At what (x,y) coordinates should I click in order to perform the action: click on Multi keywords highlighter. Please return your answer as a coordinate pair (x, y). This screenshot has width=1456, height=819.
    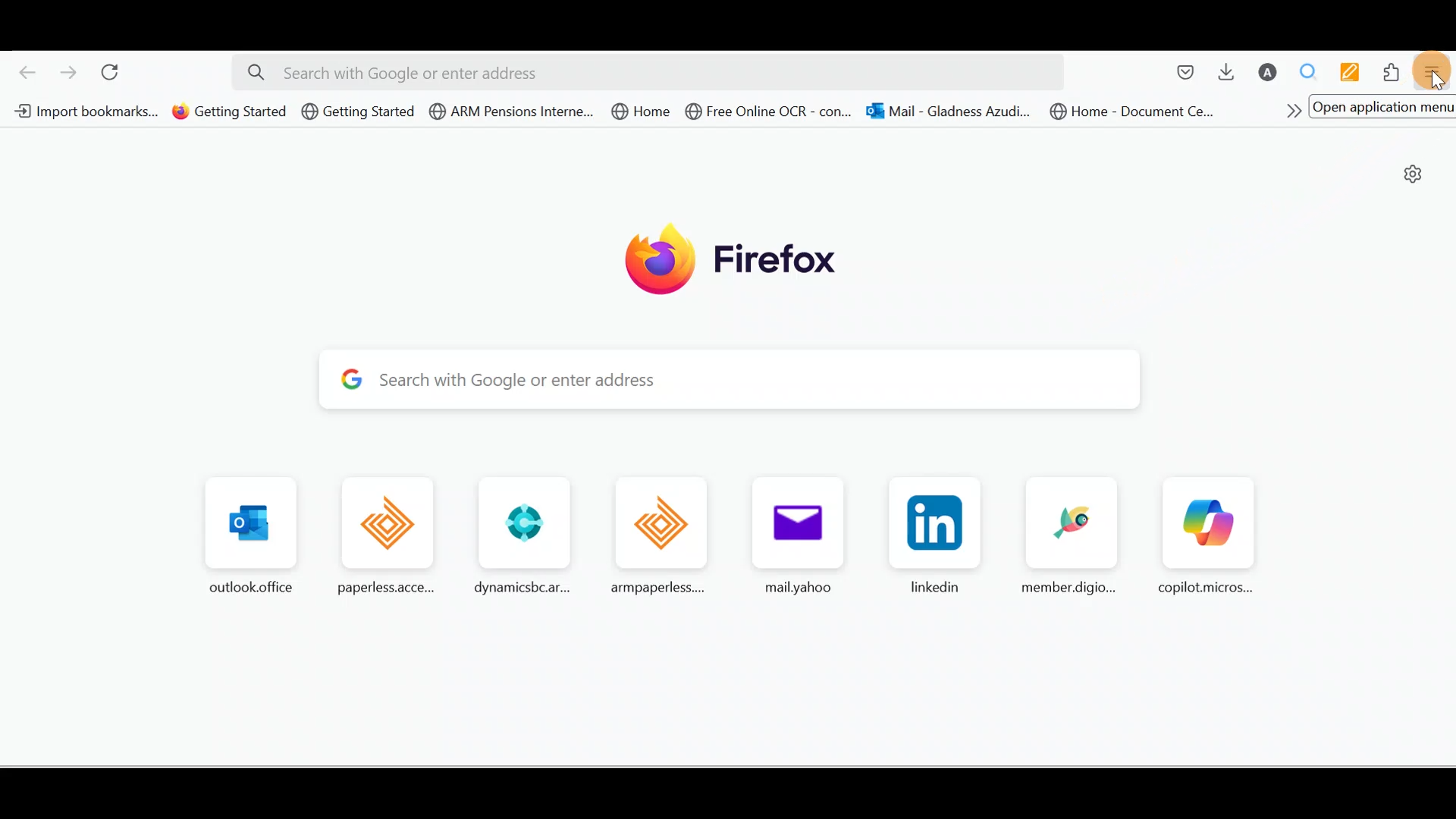
    Looking at the image, I should click on (1354, 73).